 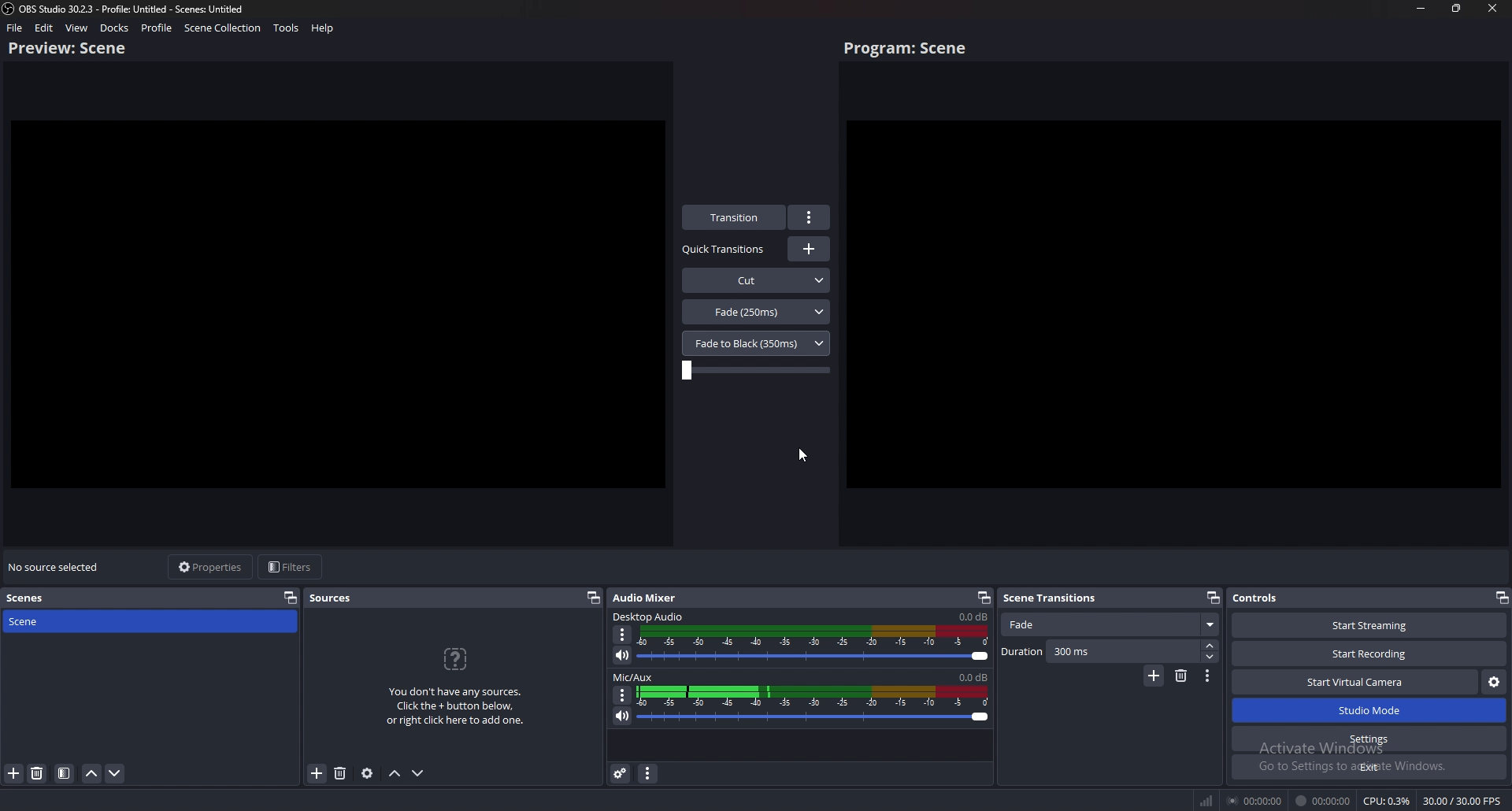 I want to click on Cut, so click(x=757, y=279).